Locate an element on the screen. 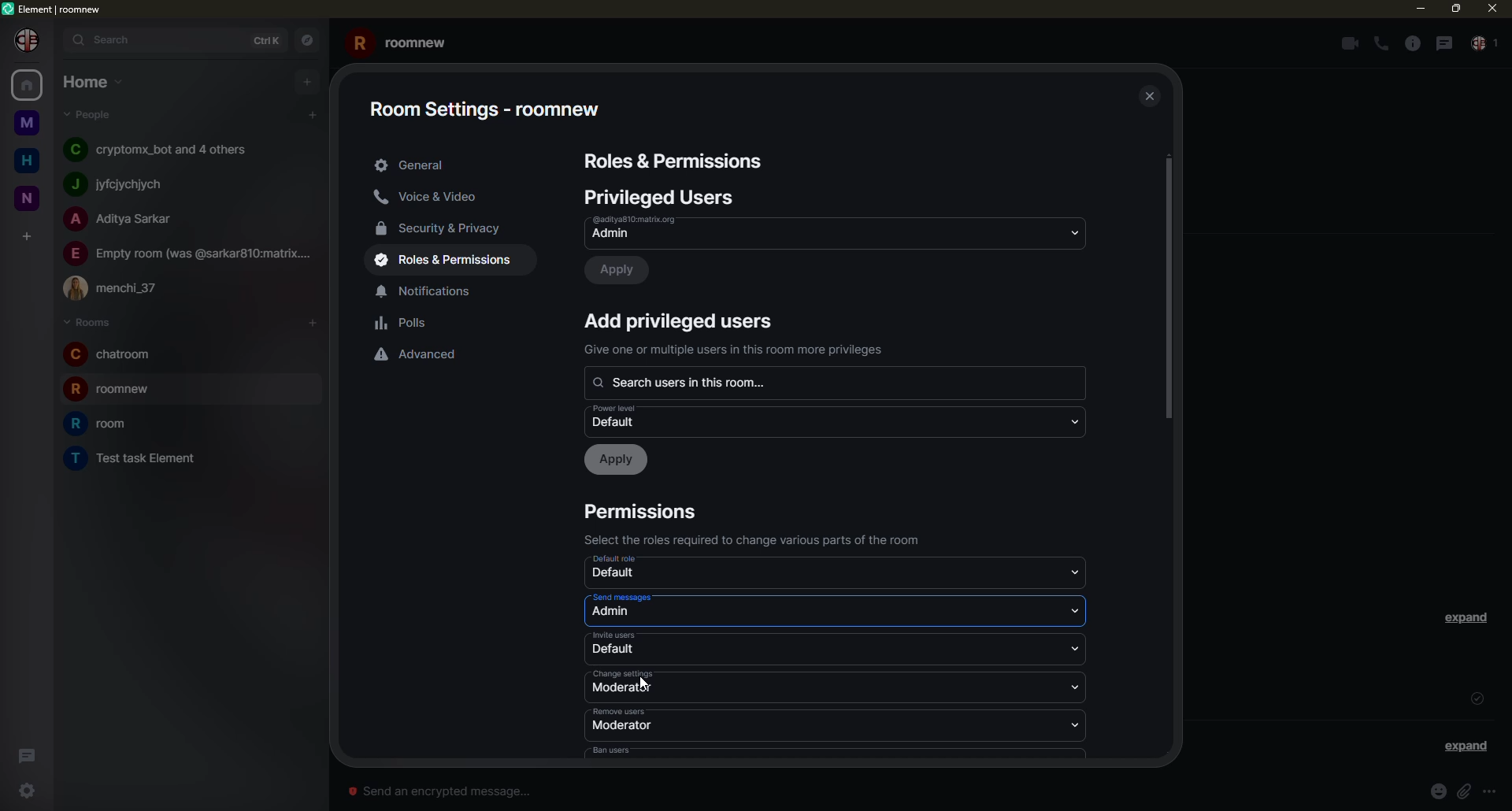 This screenshot has height=811, width=1512. drop is located at coordinates (1080, 650).